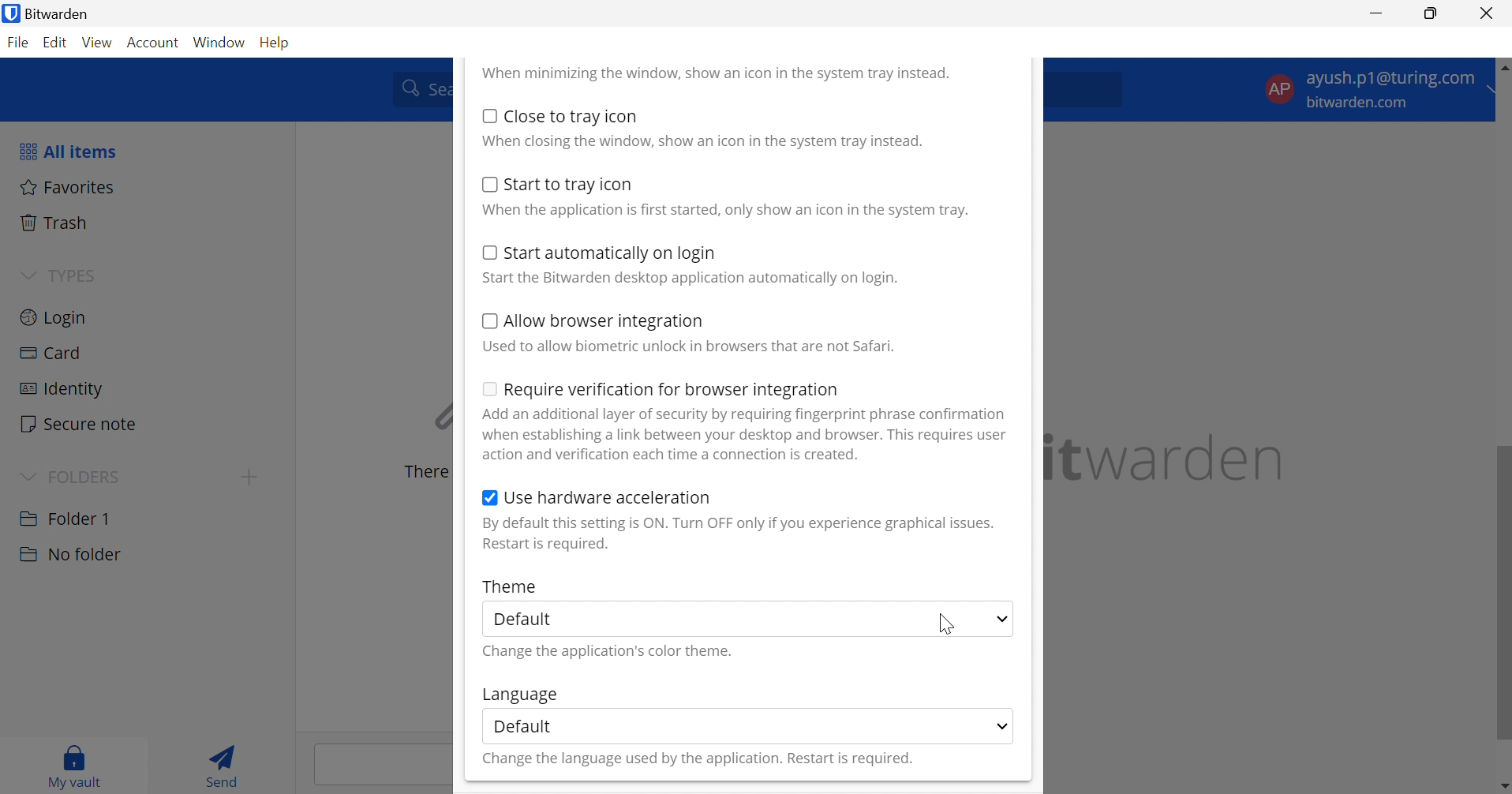  Describe the element at coordinates (610, 652) in the screenshot. I see `Change the application's color theme.` at that location.